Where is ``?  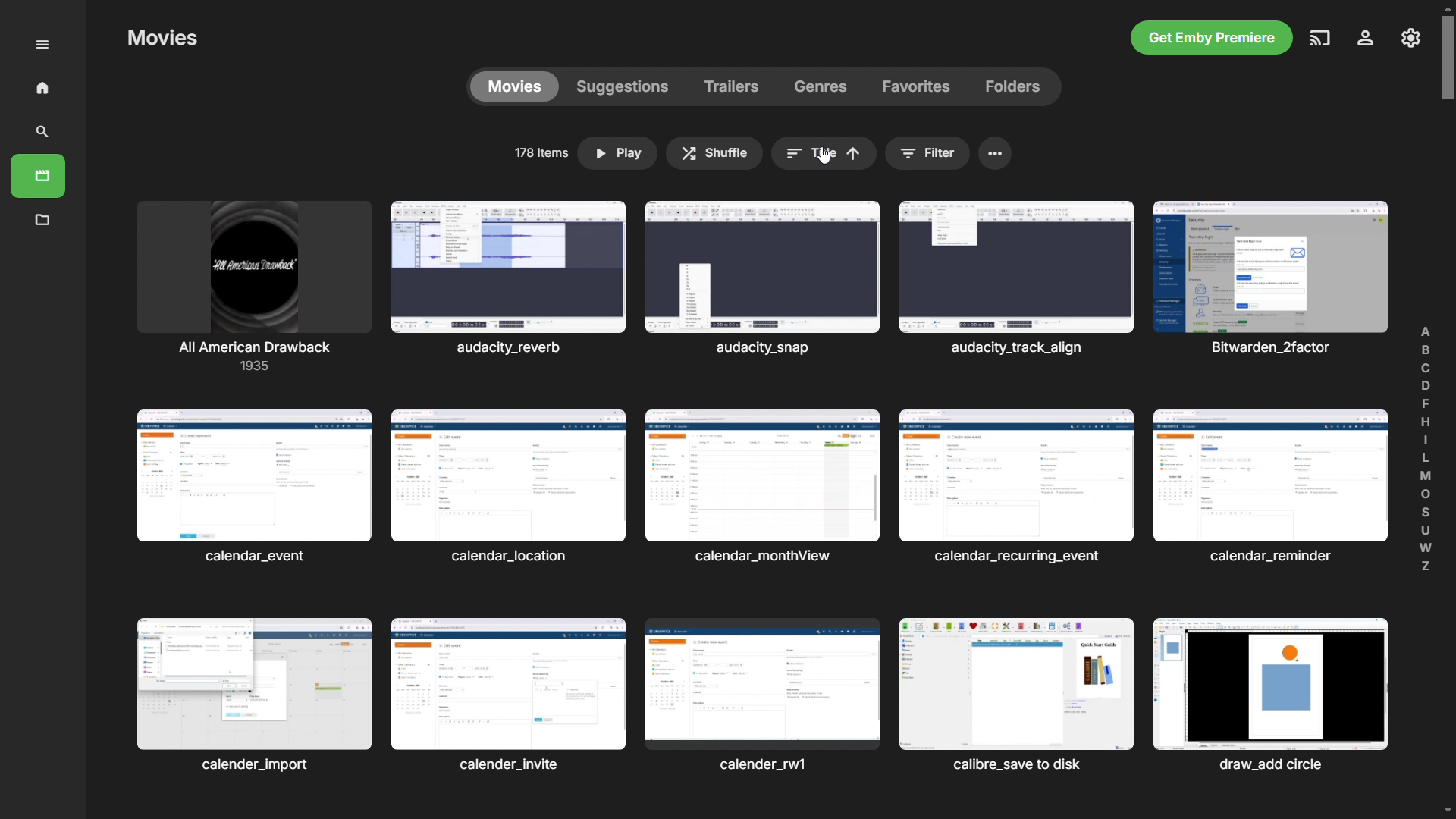  is located at coordinates (508, 488).